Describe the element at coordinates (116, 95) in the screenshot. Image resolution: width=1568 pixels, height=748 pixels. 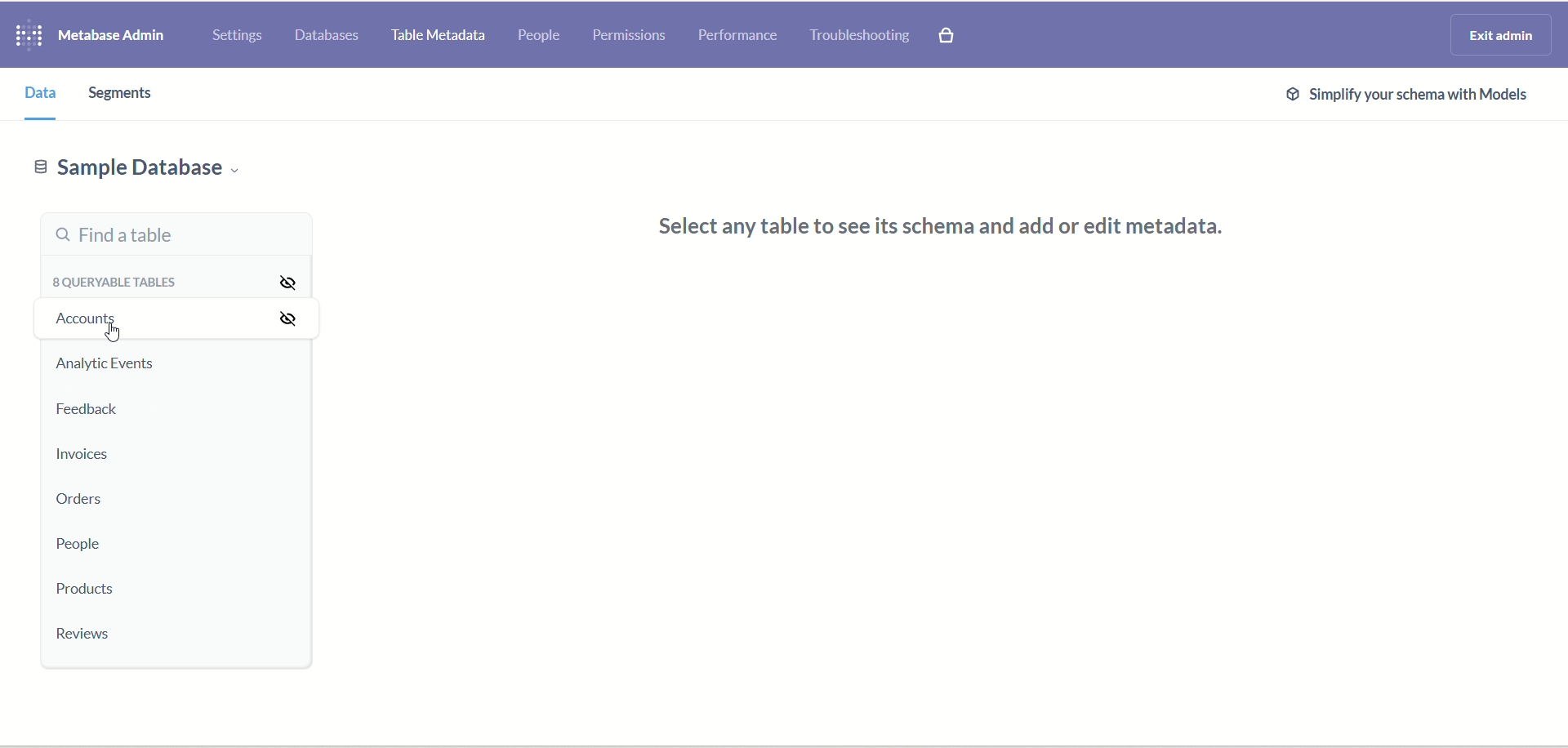
I see `segments` at that location.